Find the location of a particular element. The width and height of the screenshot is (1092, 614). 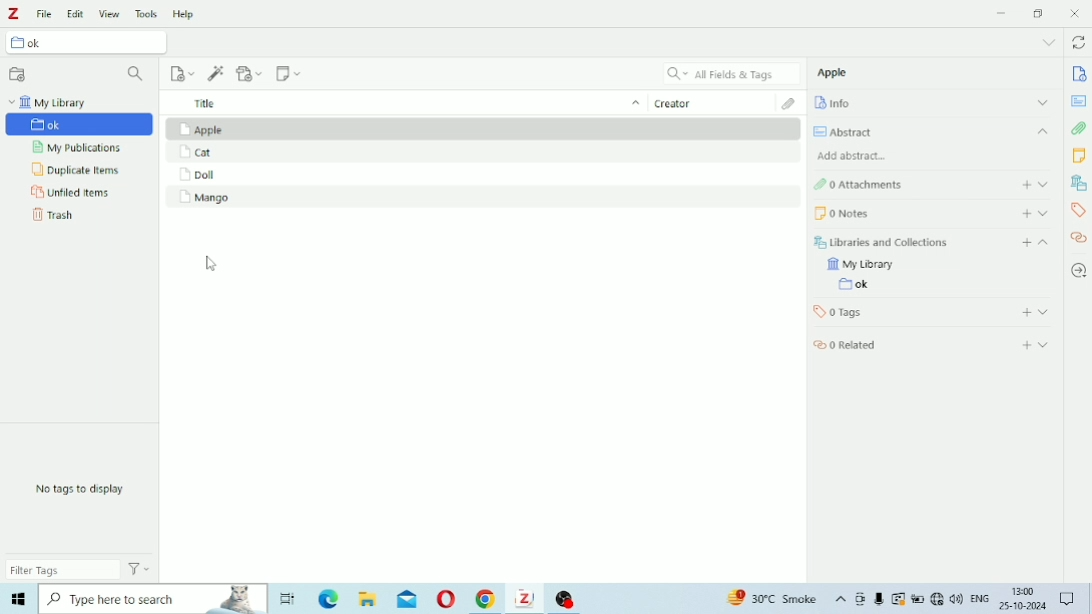

Tags is located at coordinates (1077, 209).